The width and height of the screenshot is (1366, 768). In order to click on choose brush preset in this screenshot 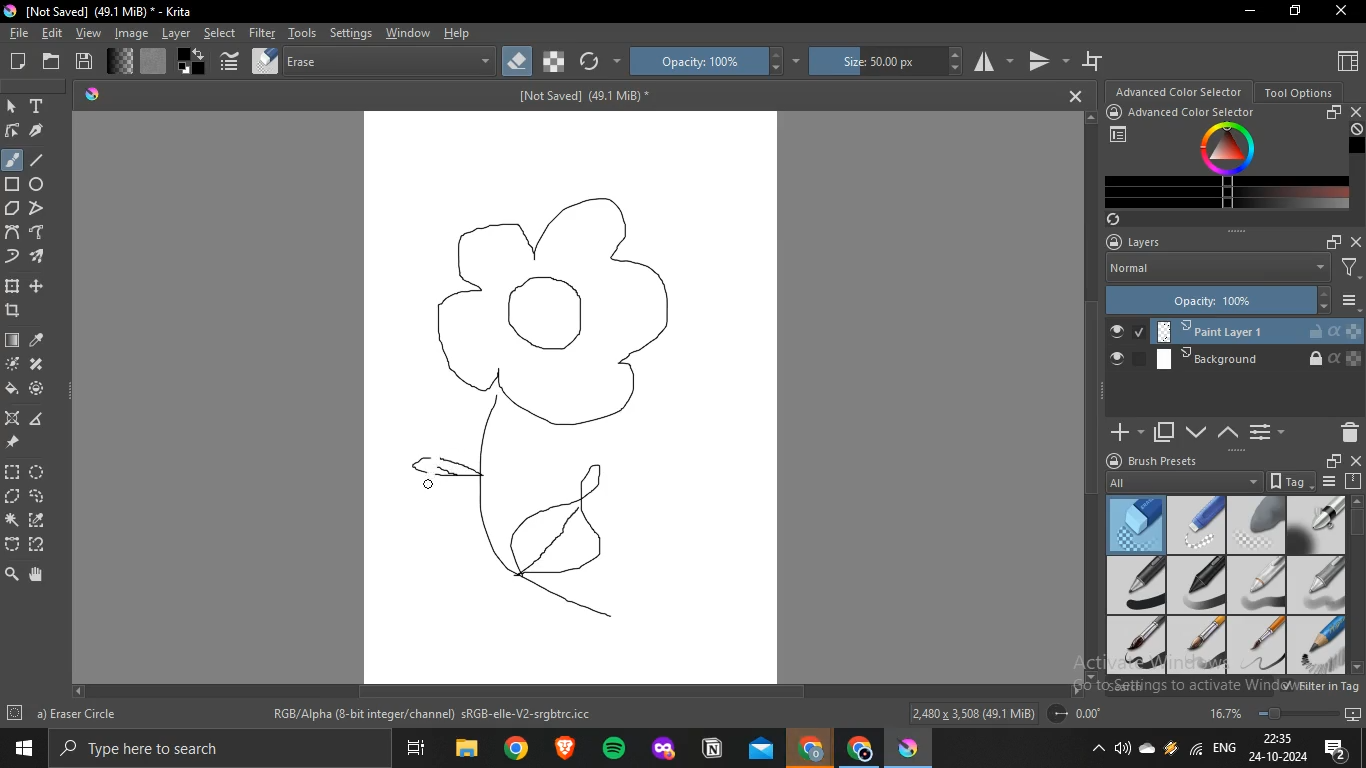, I will do `click(264, 61)`.